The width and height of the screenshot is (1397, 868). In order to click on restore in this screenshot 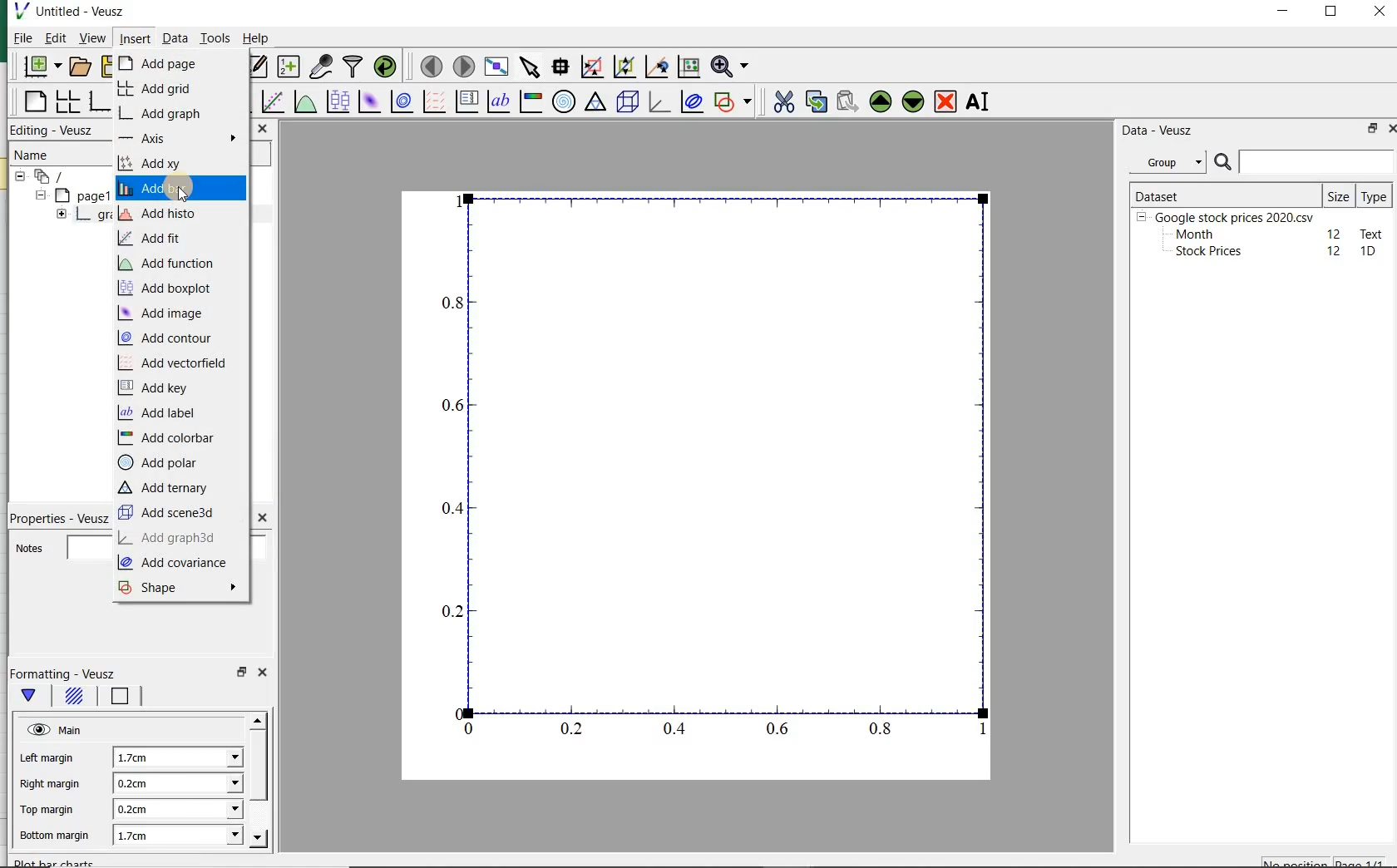, I will do `click(1370, 130)`.